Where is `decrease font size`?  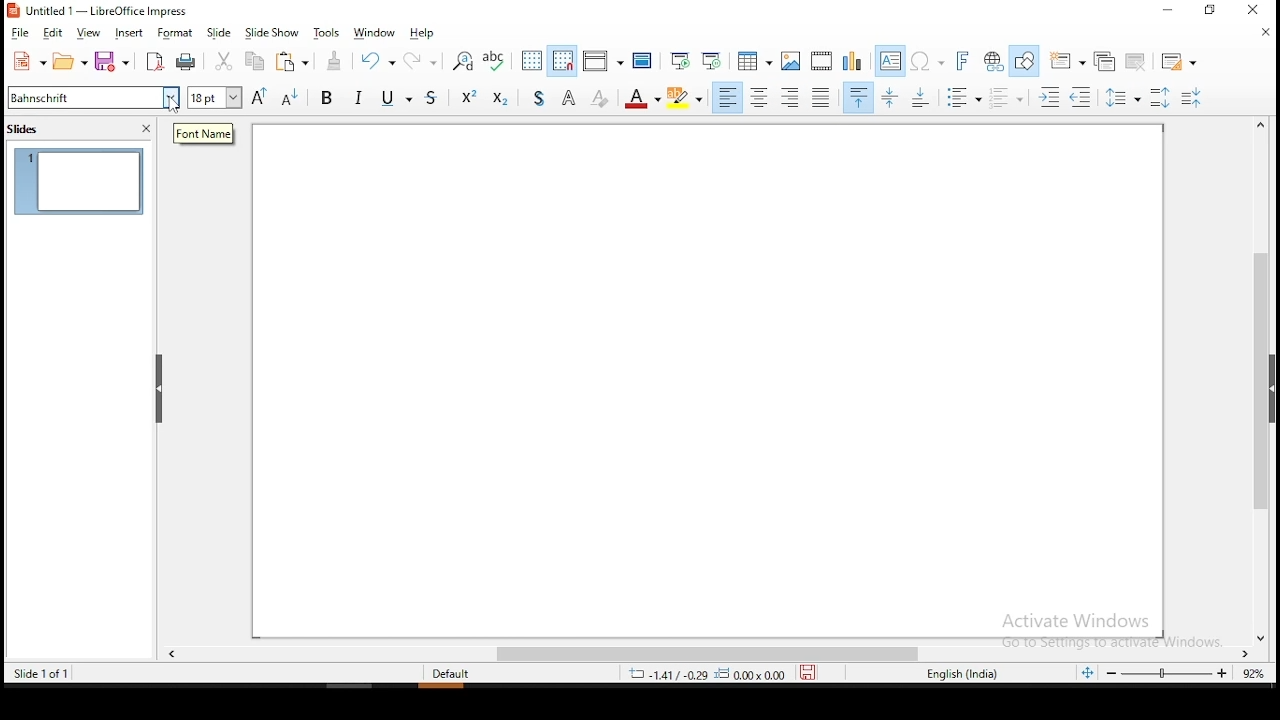 decrease font size is located at coordinates (288, 98).